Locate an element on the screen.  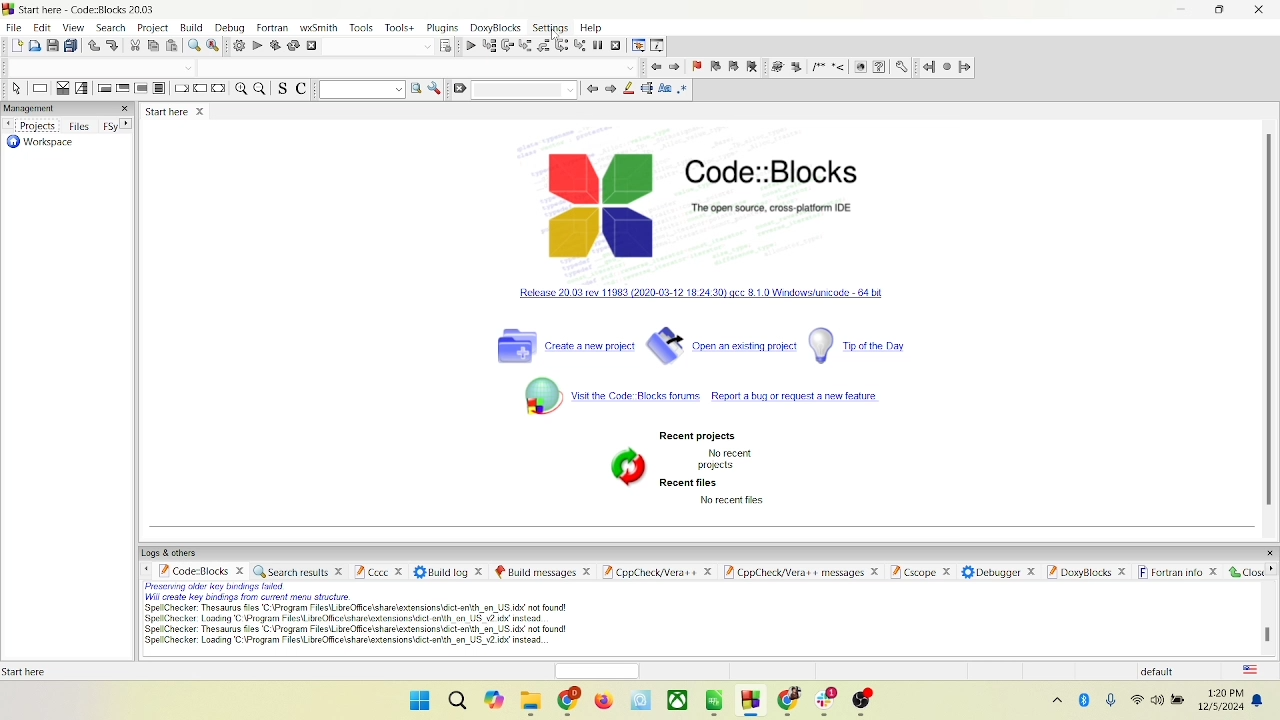
Fsy is located at coordinates (116, 124).